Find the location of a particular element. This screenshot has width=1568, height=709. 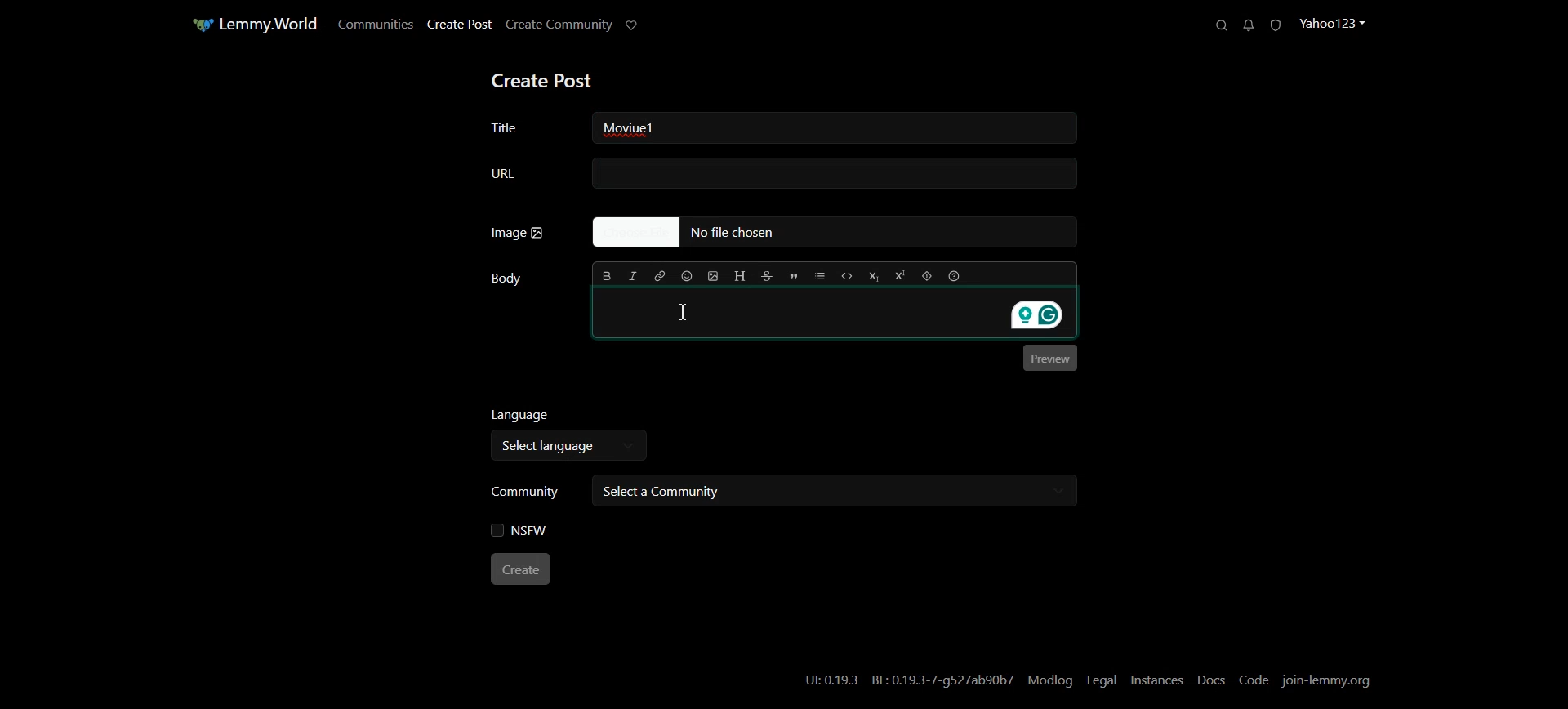

Body is located at coordinates (506, 279).